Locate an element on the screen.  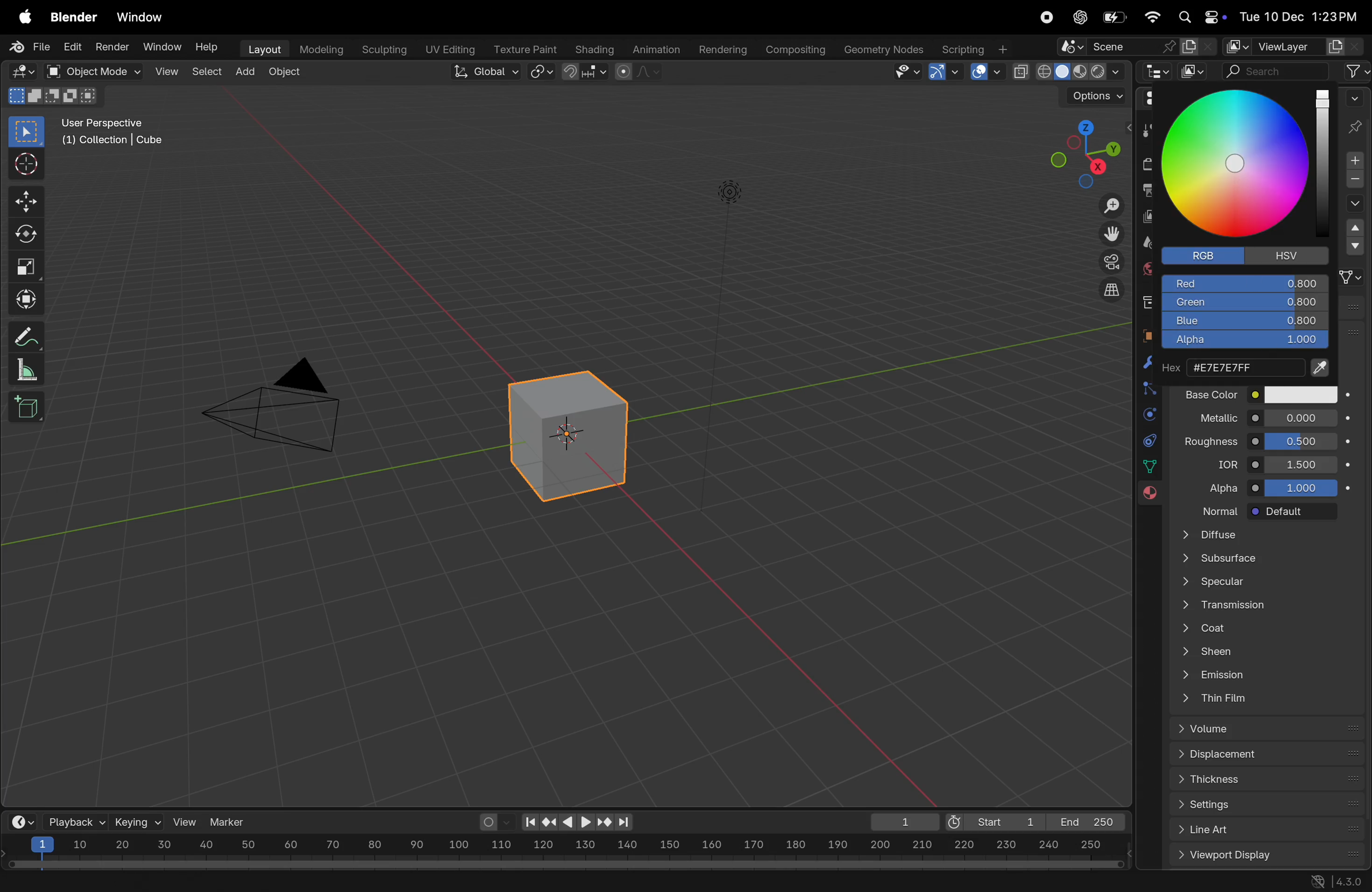
1 is located at coordinates (900, 822).